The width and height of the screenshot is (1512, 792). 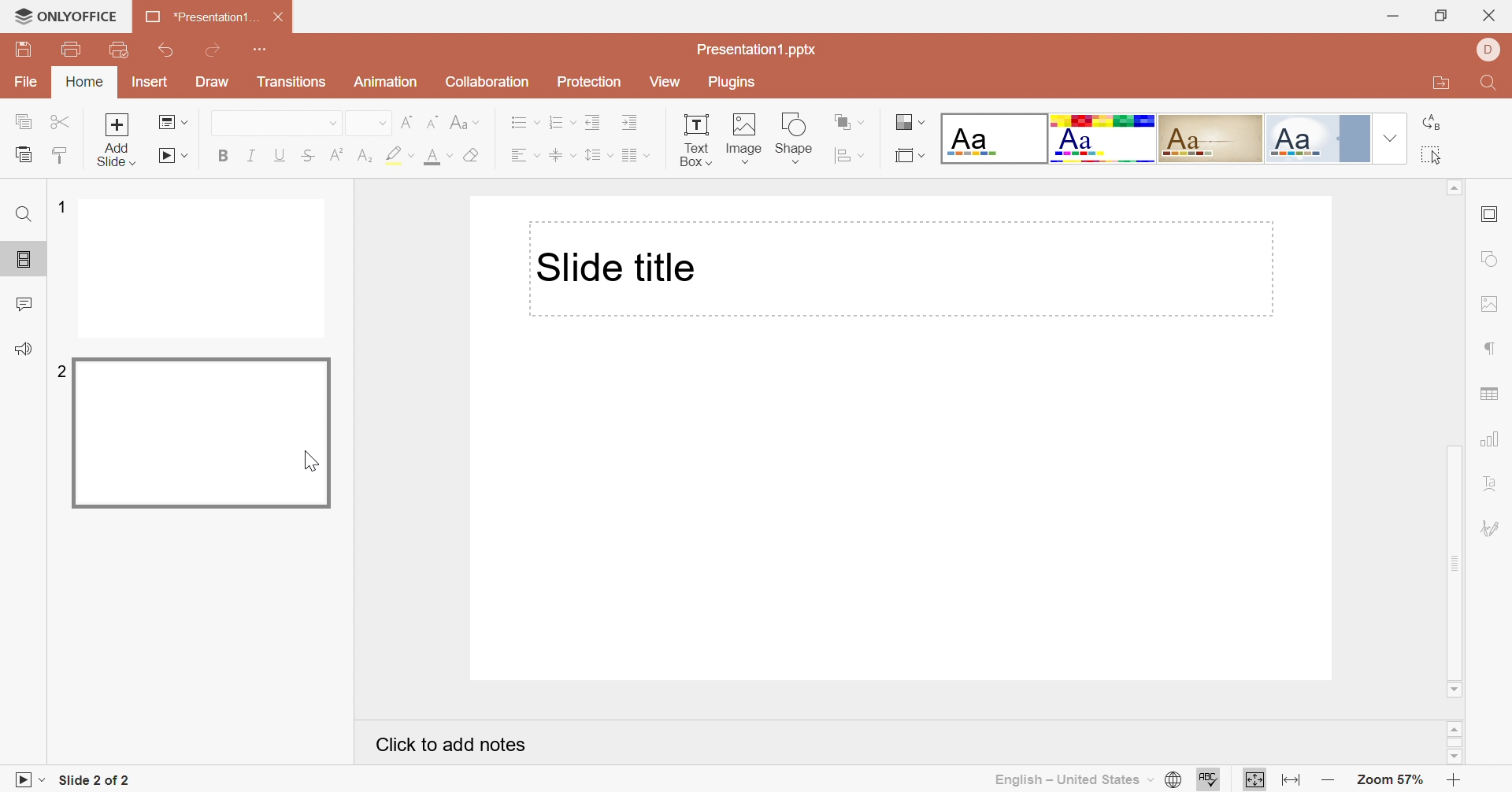 I want to click on Arrange shape, so click(x=844, y=120).